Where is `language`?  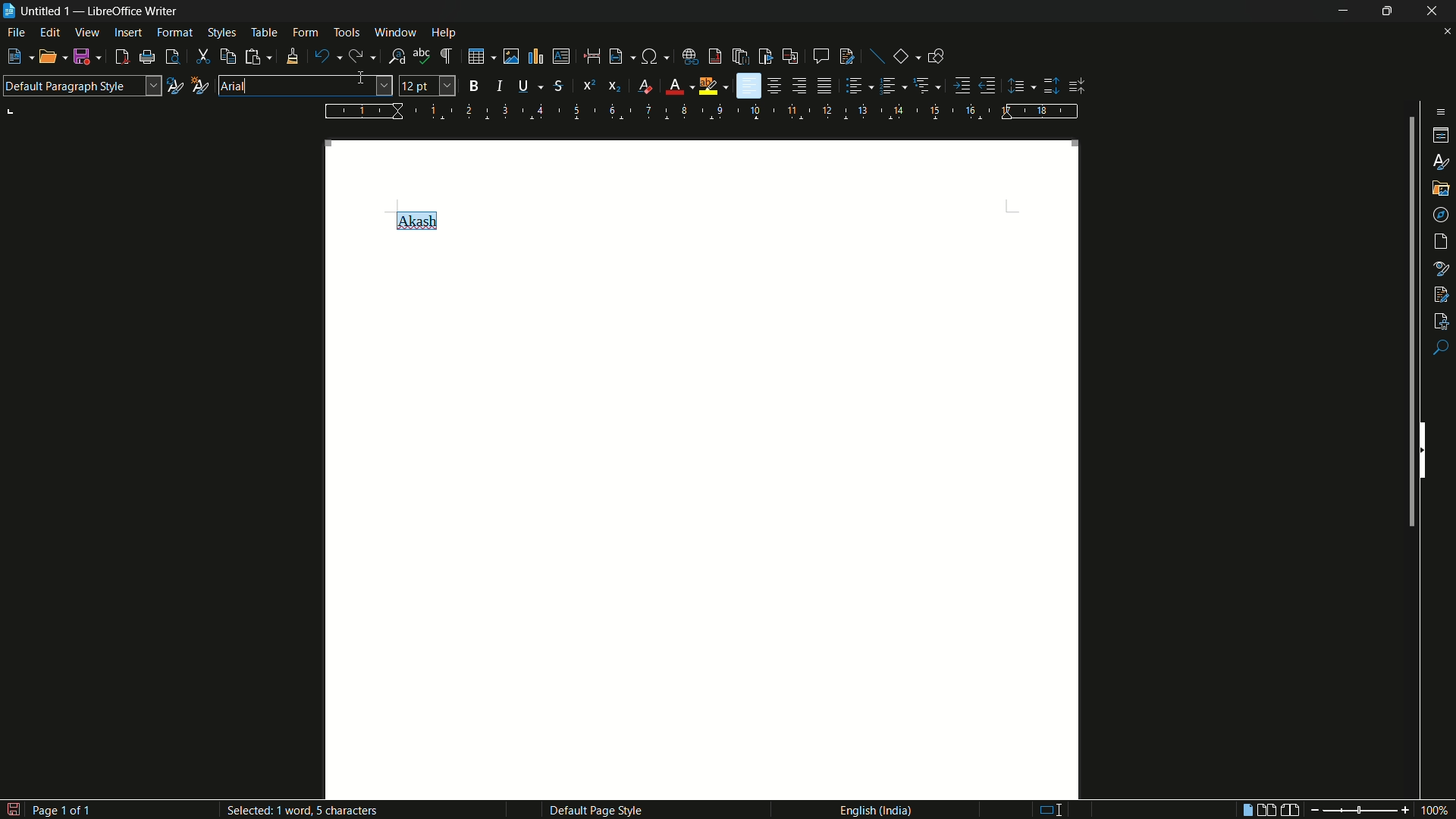 language is located at coordinates (874, 809).